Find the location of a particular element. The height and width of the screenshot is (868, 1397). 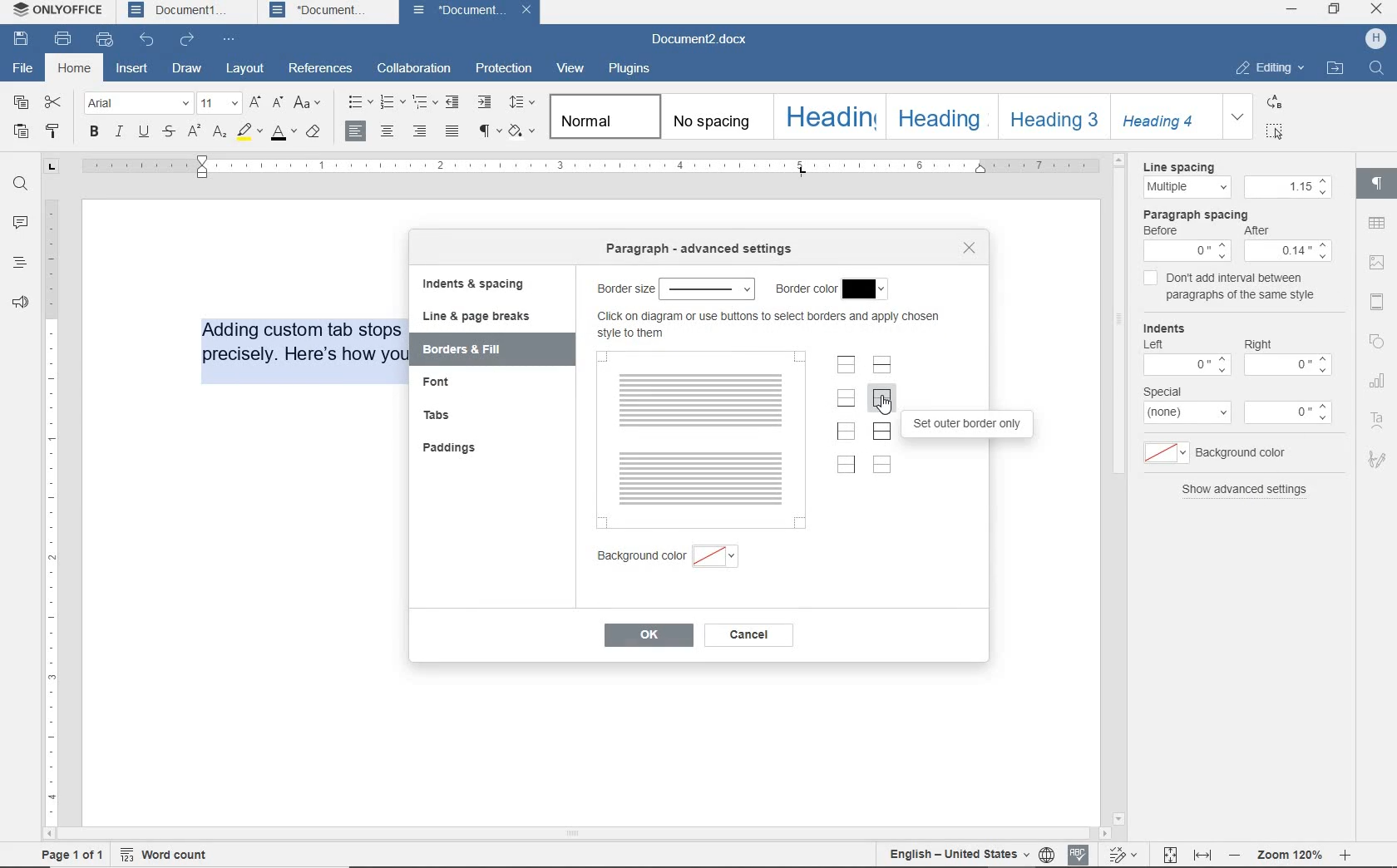

view is located at coordinates (568, 68).